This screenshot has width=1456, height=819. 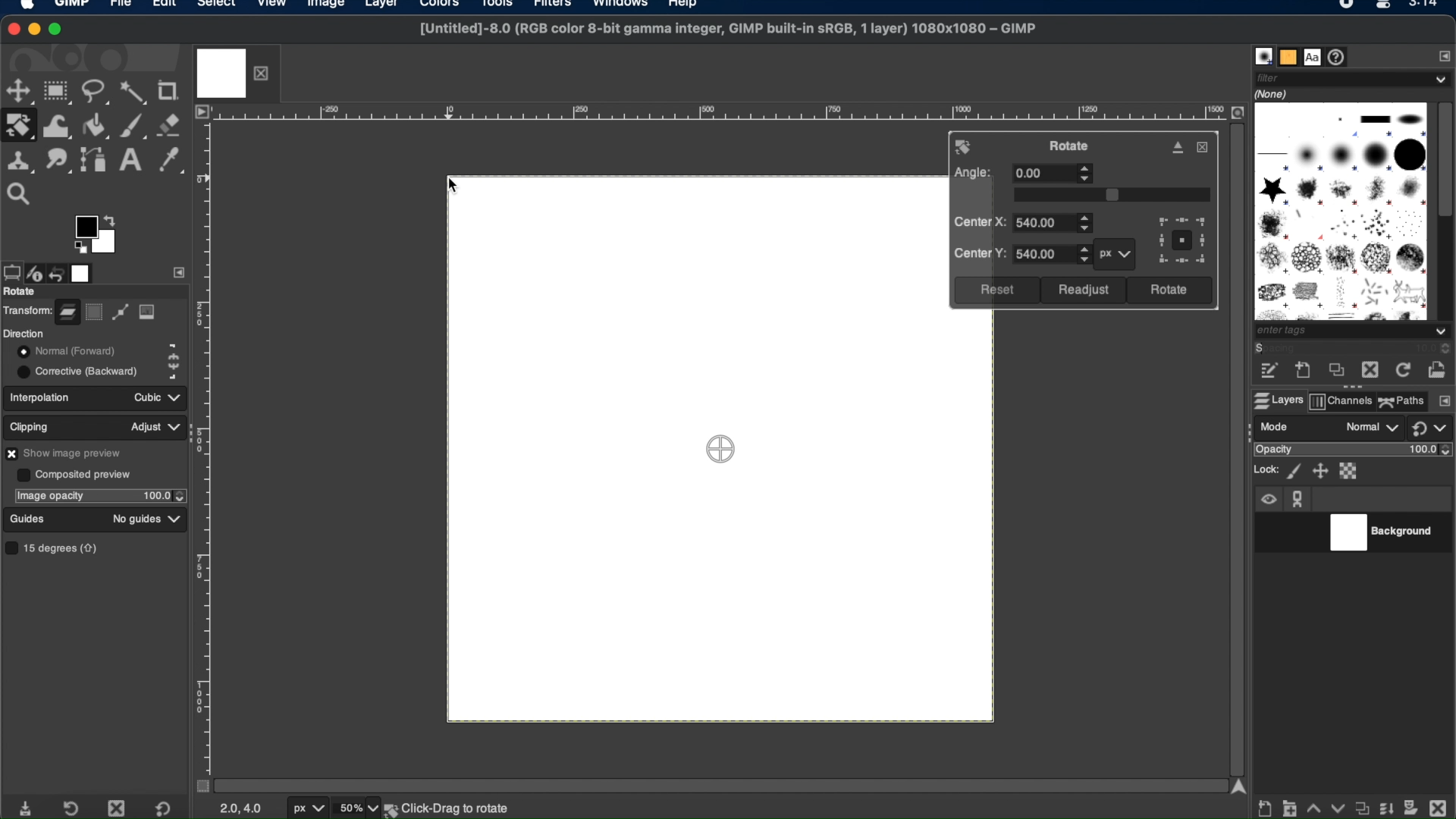 I want to click on add mask options, so click(x=1411, y=806).